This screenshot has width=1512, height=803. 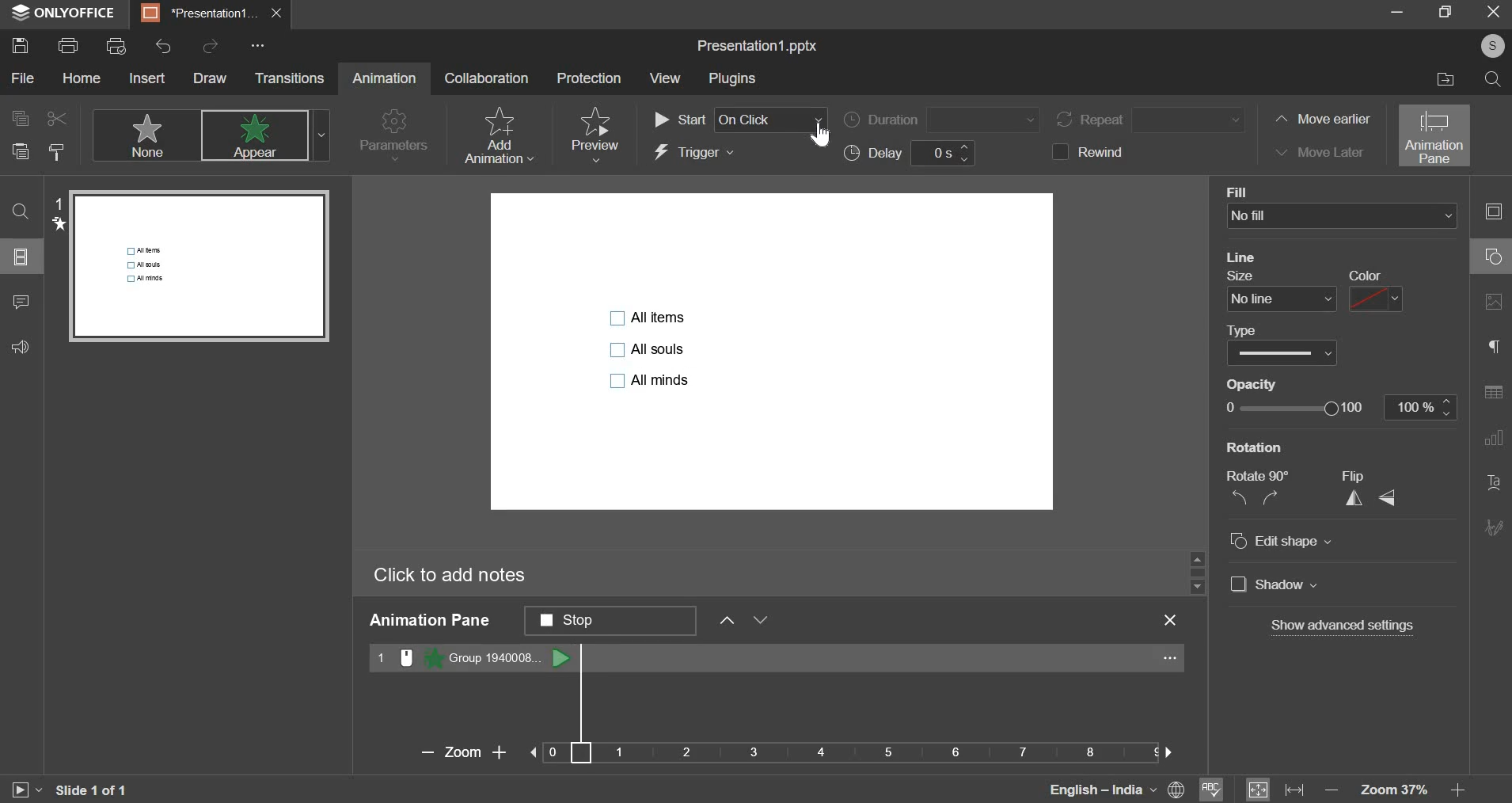 I want to click on repeat, so click(x=1153, y=120).